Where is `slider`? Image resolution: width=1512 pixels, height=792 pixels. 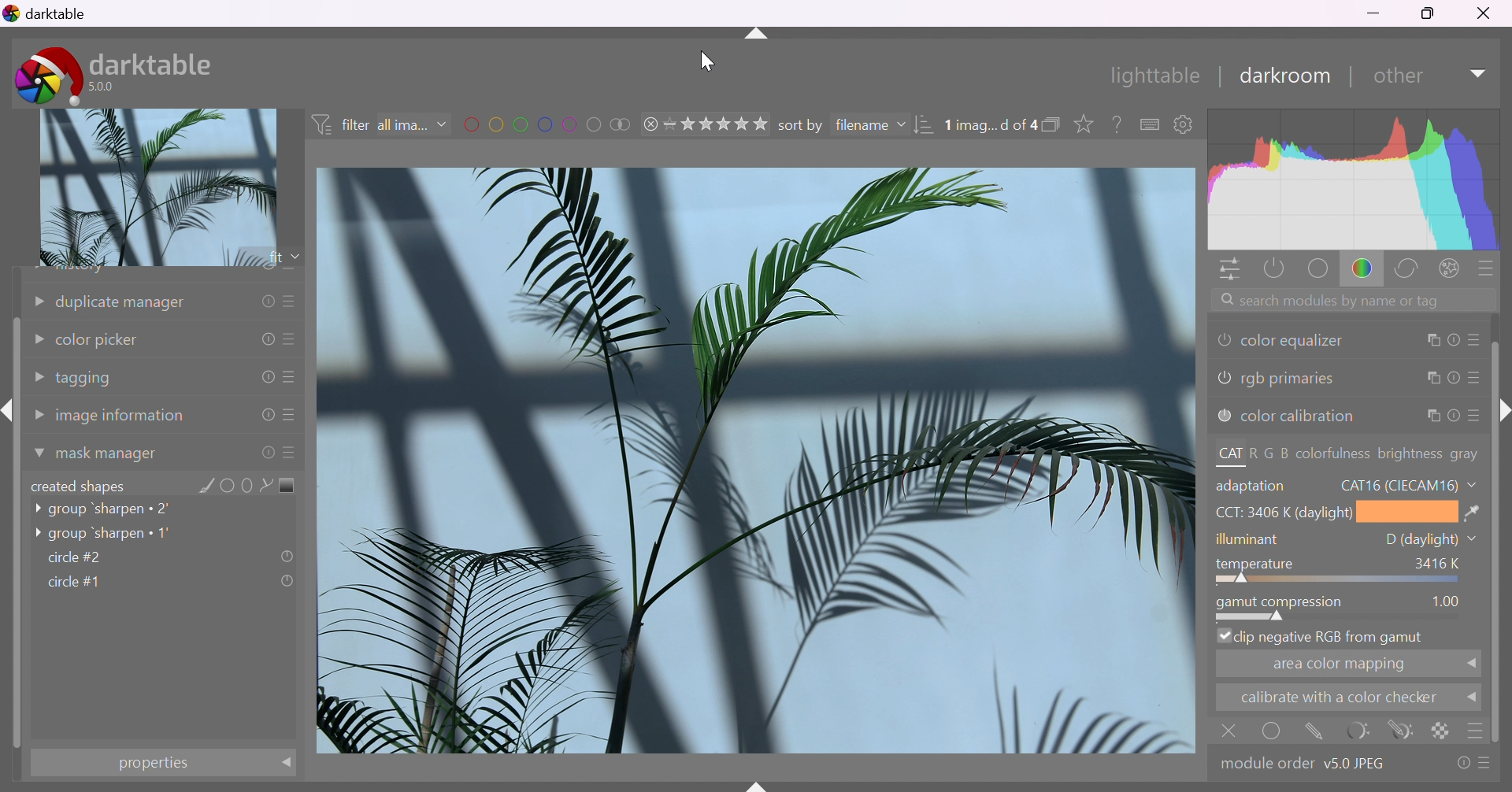 slider is located at coordinates (1499, 530).